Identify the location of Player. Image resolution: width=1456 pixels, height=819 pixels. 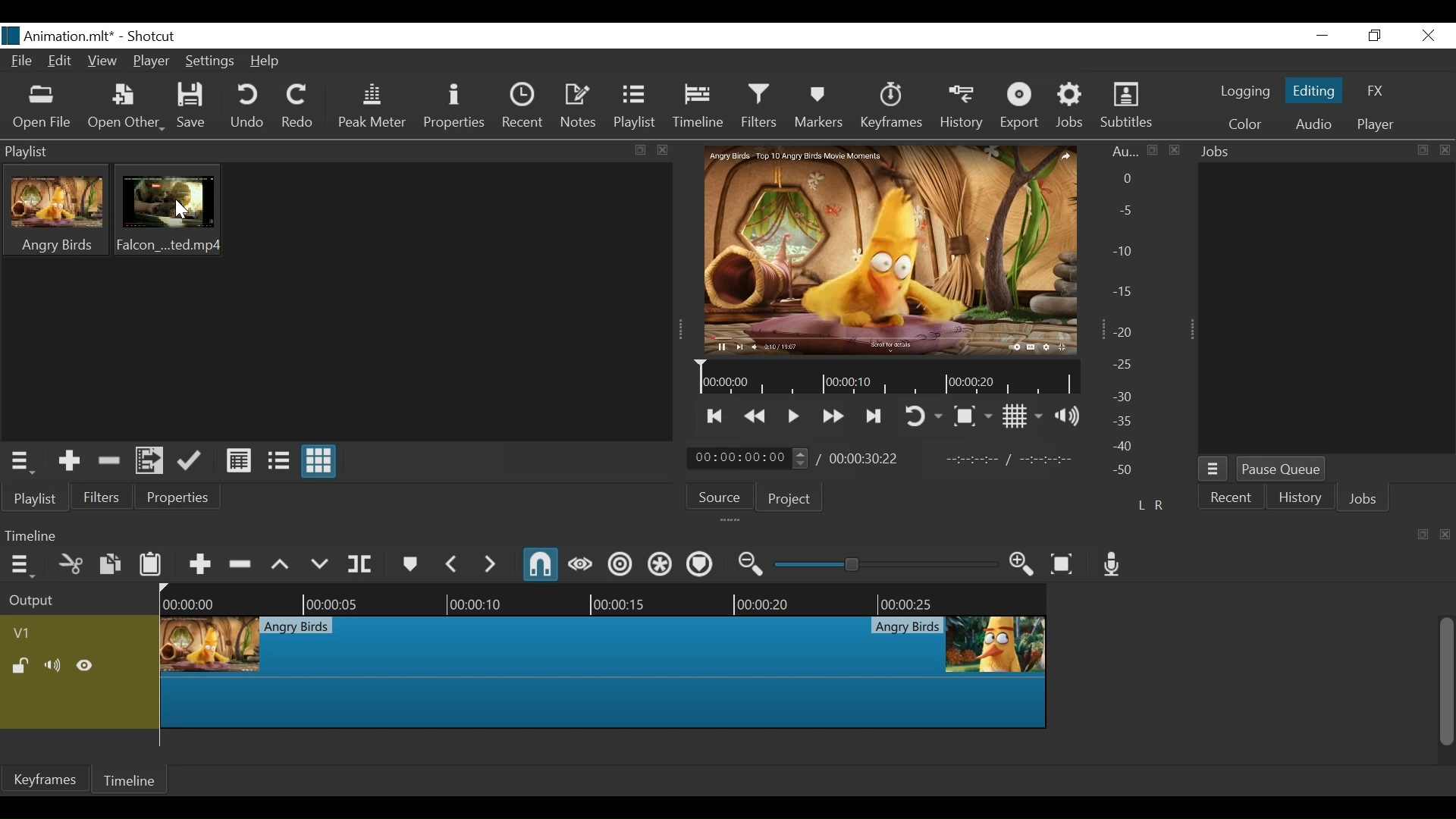
(1375, 125).